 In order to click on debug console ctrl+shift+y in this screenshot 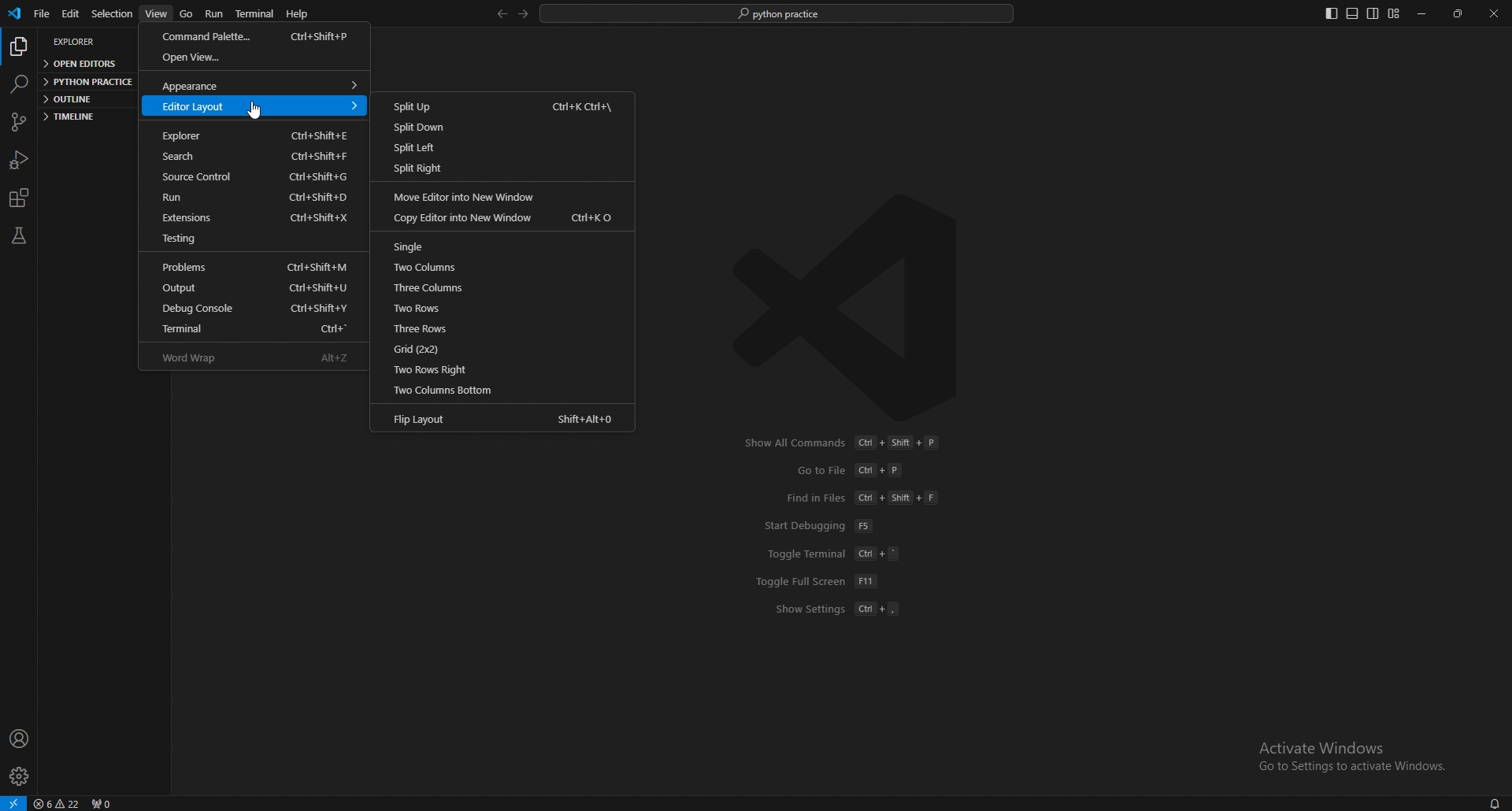, I will do `click(251, 309)`.